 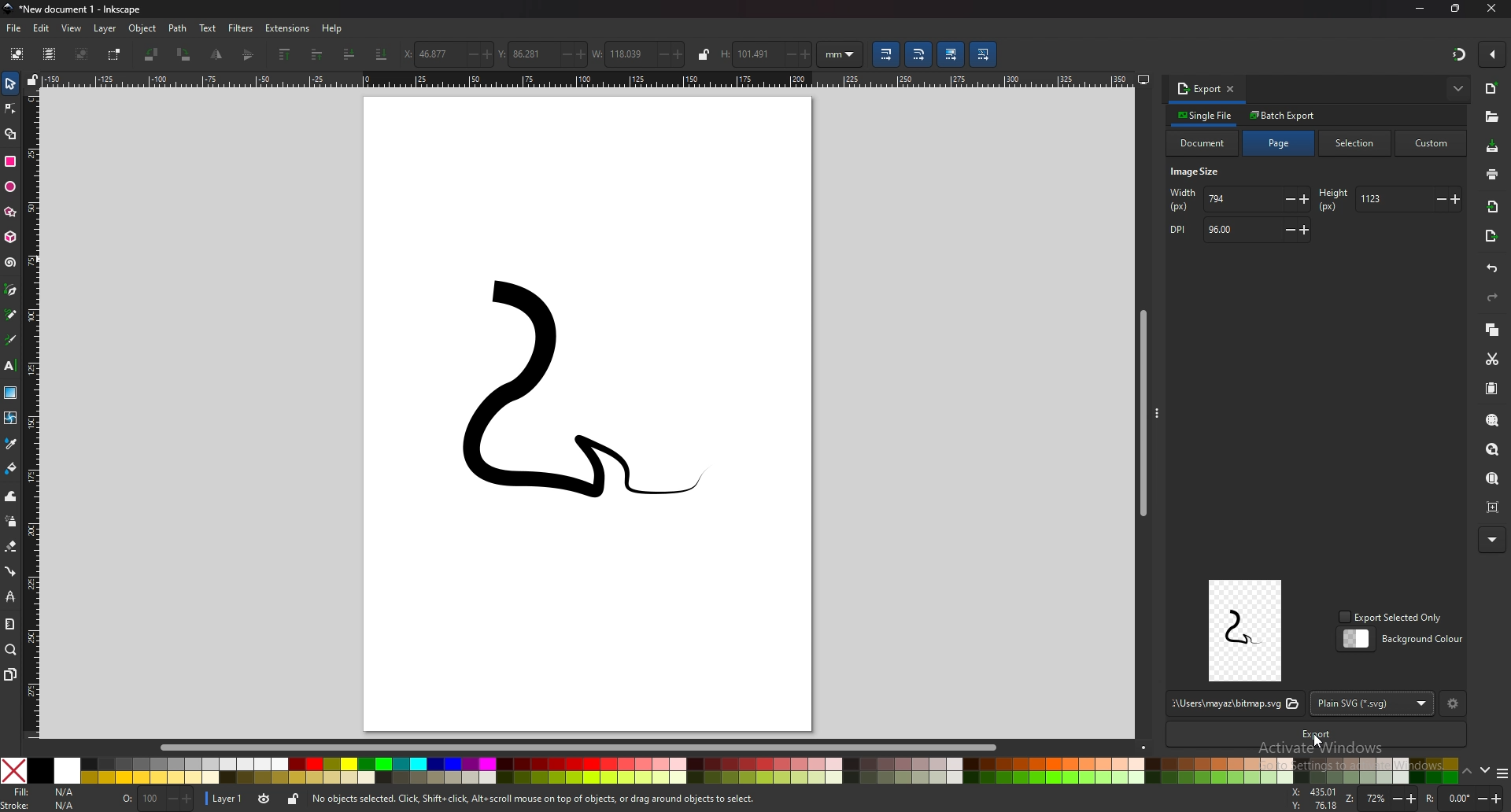 What do you see at coordinates (1246, 630) in the screenshot?
I see `preview` at bounding box center [1246, 630].